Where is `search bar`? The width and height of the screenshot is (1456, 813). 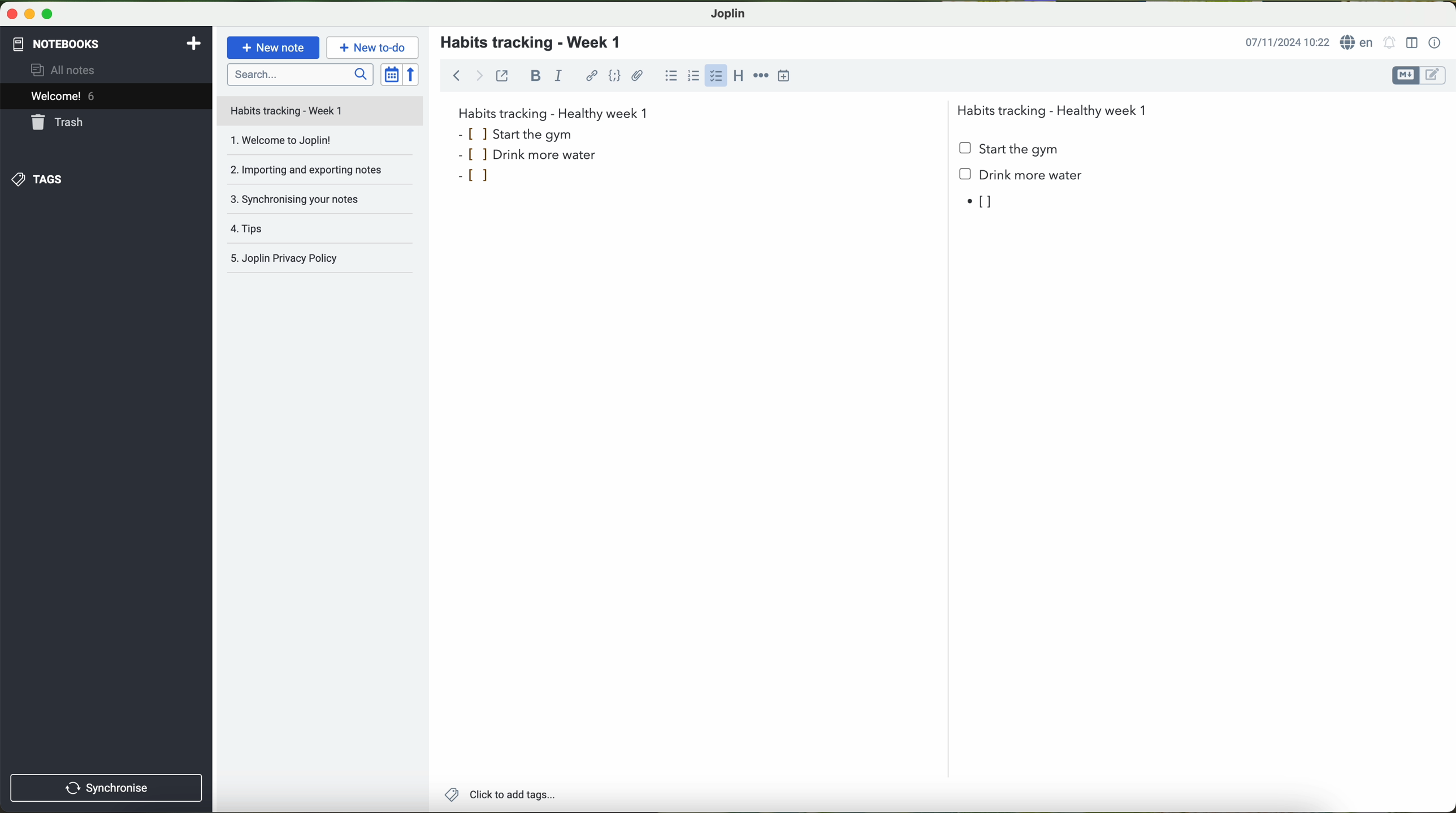 search bar is located at coordinates (299, 74).